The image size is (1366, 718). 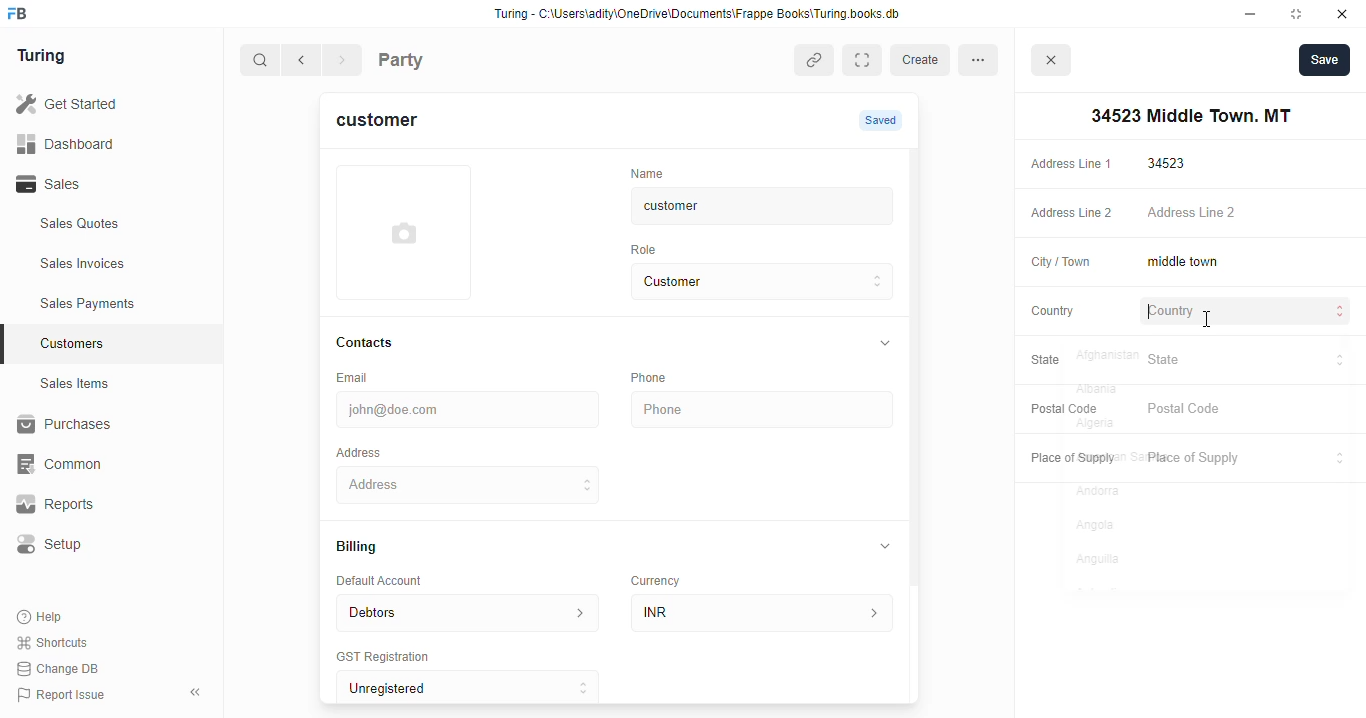 What do you see at coordinates (766, 612) in the screenshot?
I see `INR` at bounding box center [766, 612].